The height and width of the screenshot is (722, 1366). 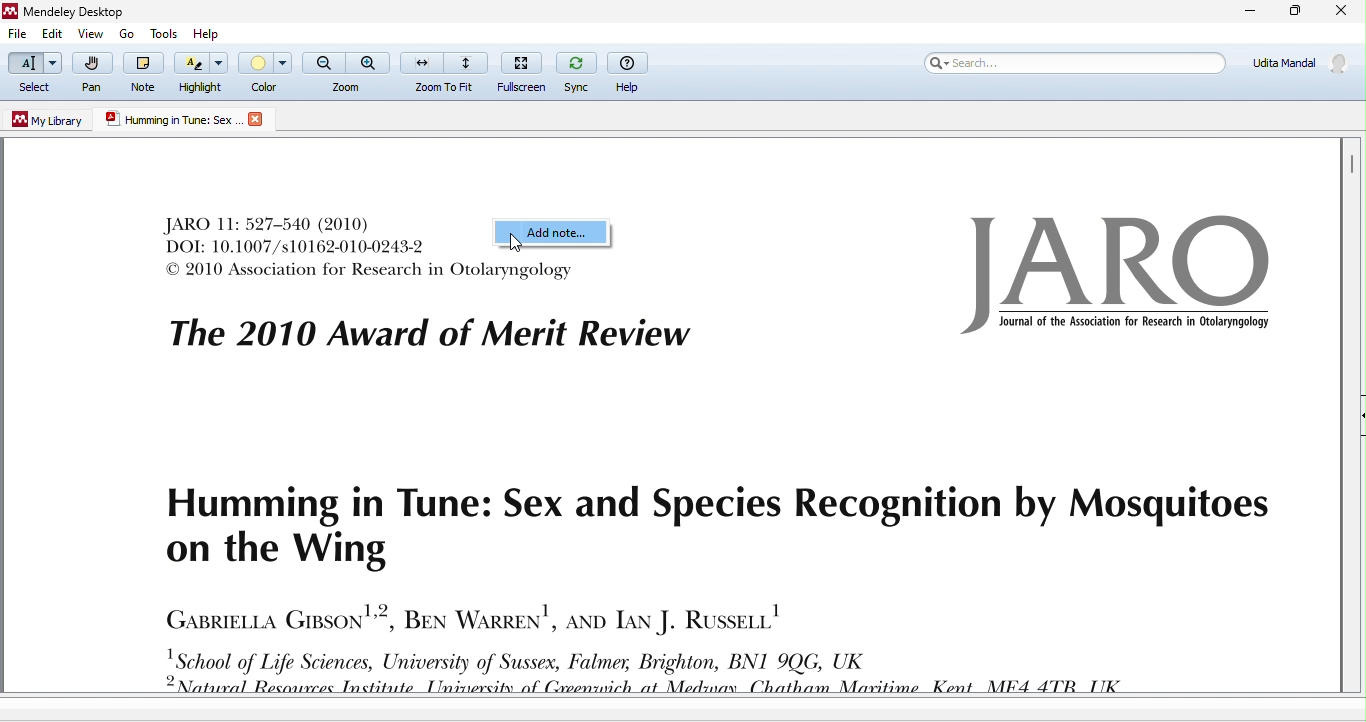 What do you see at coordinates (97, 73) in the screenshot?
I see `pan` at bounding box center [97, 73].